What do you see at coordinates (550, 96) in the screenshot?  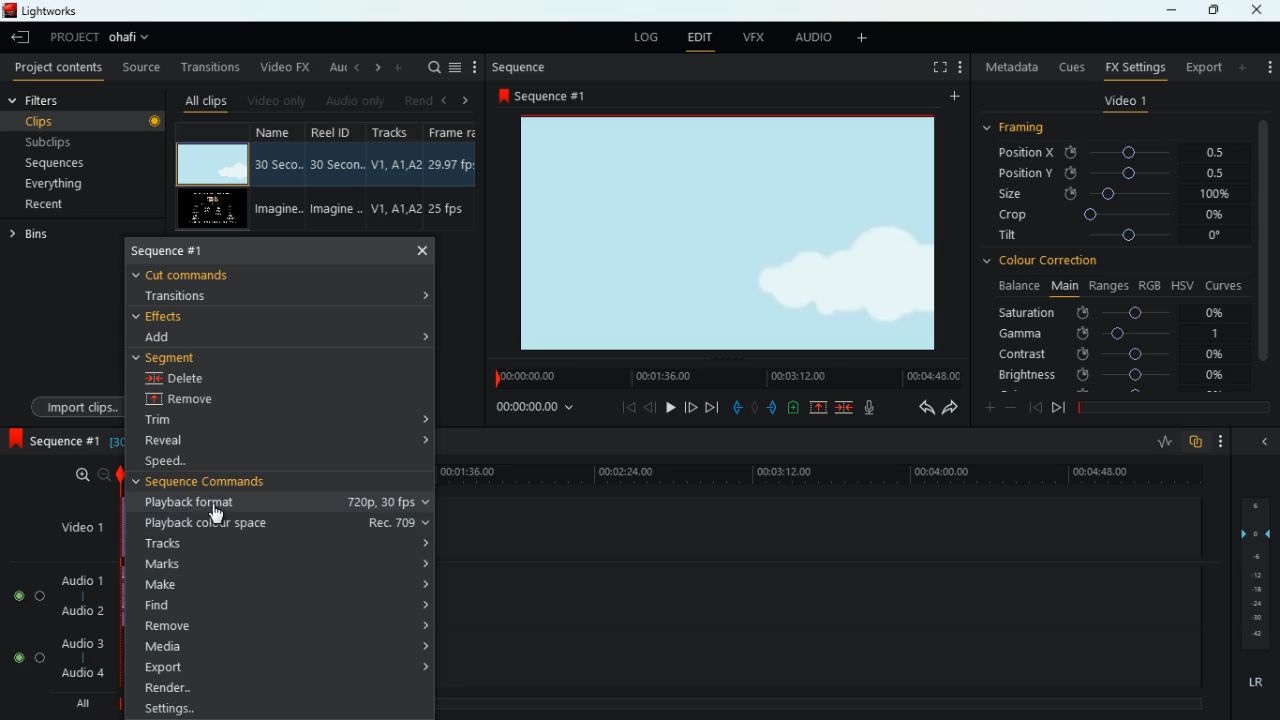 I see `sequence` at bounding box center [550, 96].